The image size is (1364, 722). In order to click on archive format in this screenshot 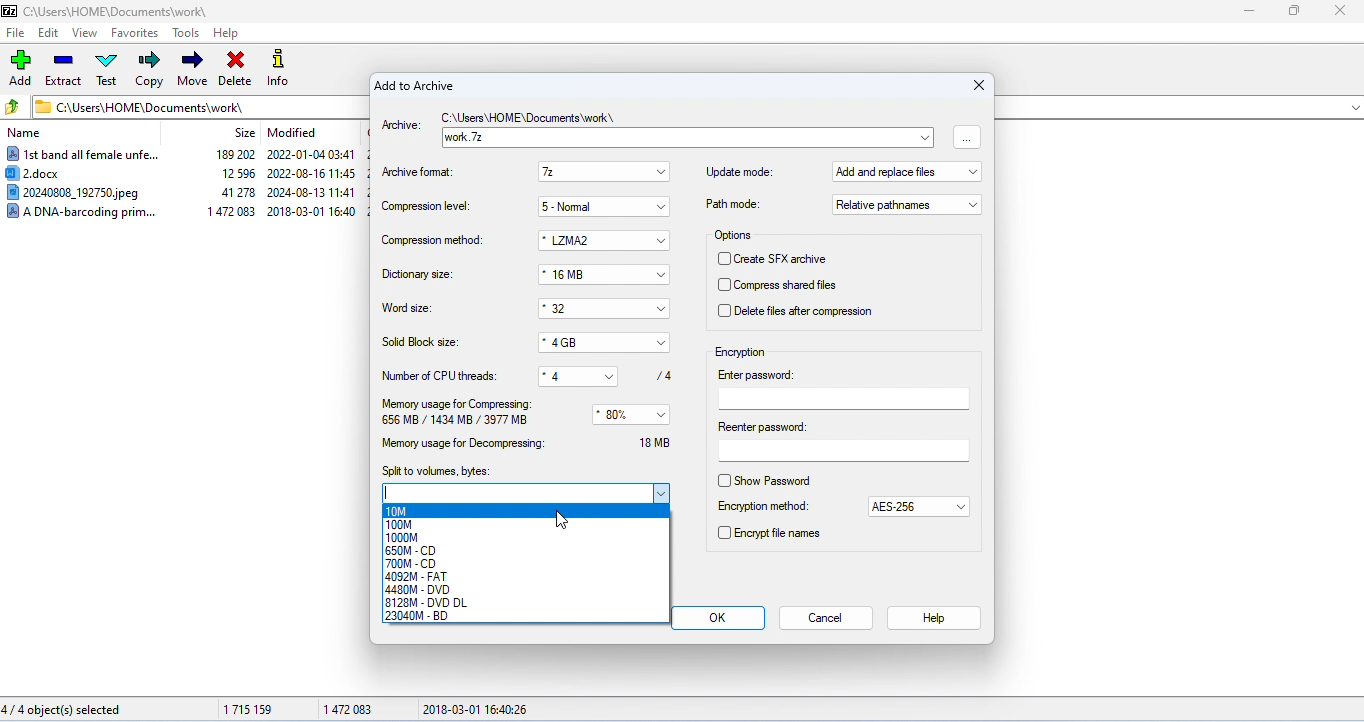, I will do `click(422, 173)`.